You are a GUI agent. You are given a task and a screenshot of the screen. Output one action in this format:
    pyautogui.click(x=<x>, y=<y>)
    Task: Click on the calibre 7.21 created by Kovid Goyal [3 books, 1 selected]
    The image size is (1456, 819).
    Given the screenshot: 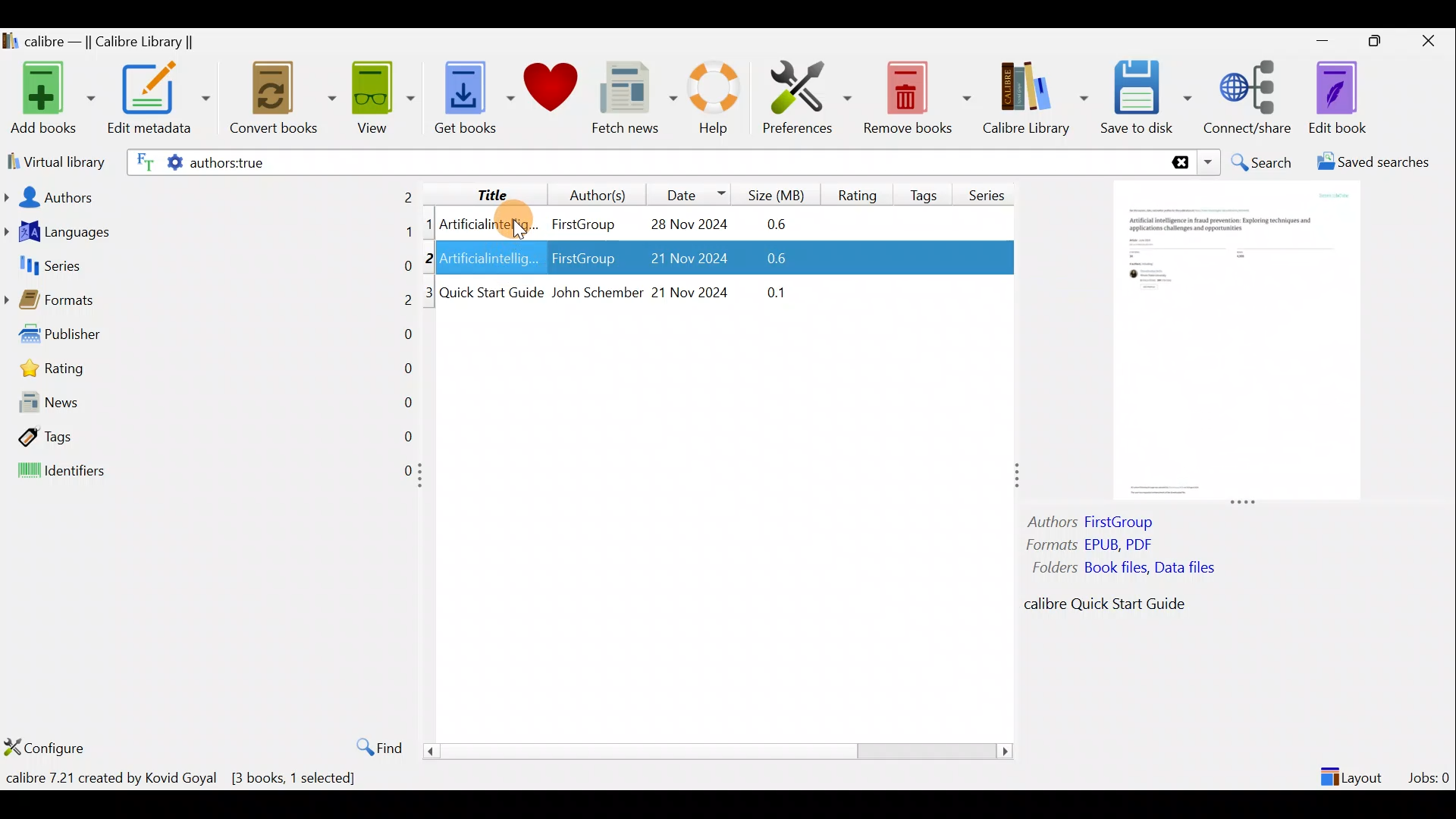 What is the action you would take?
    pyautogui.click(x=181, y=781)
    